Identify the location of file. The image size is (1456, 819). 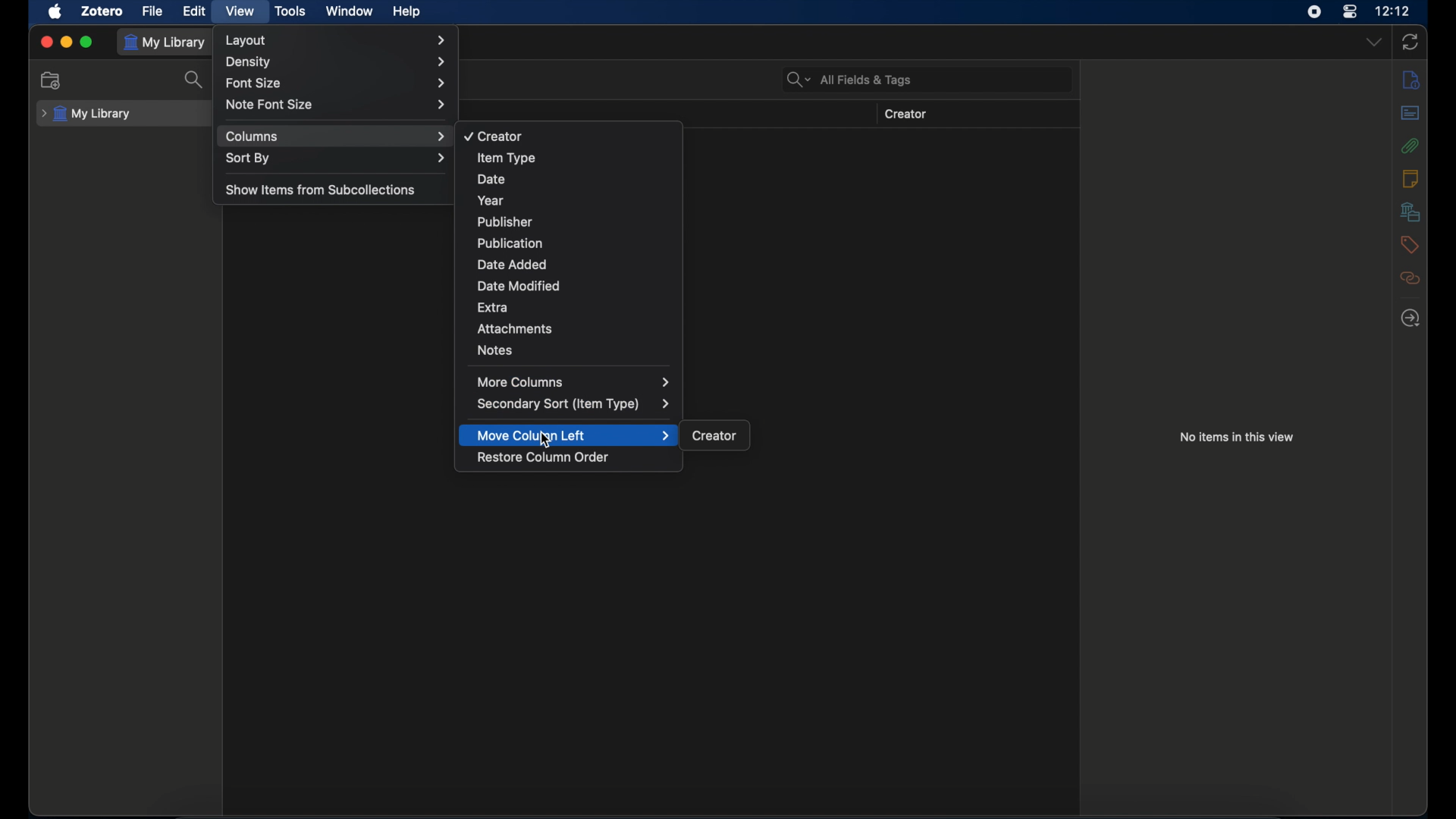
(153, 11).